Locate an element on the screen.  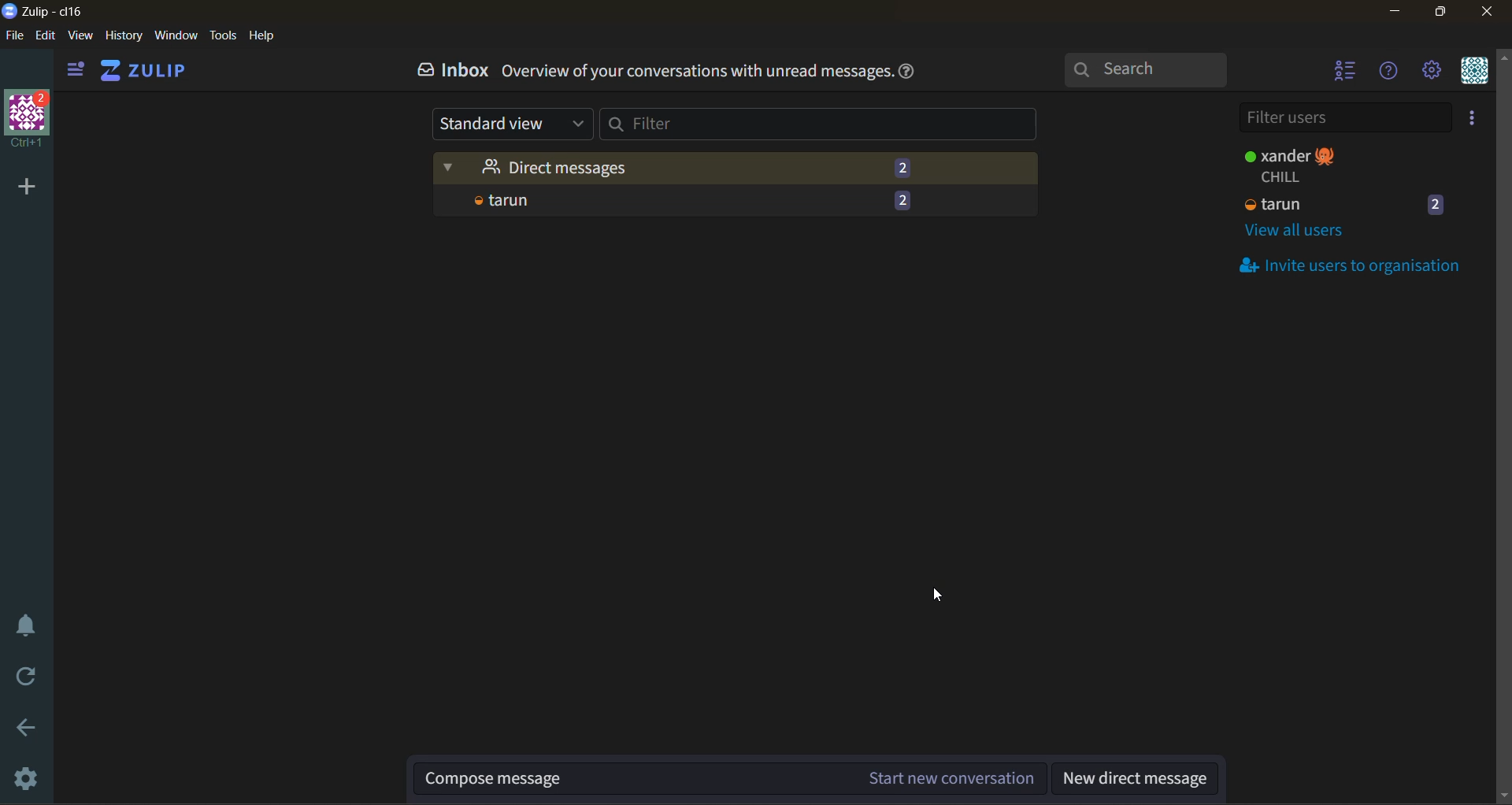
view all users is located at coordinates (1314, 232).